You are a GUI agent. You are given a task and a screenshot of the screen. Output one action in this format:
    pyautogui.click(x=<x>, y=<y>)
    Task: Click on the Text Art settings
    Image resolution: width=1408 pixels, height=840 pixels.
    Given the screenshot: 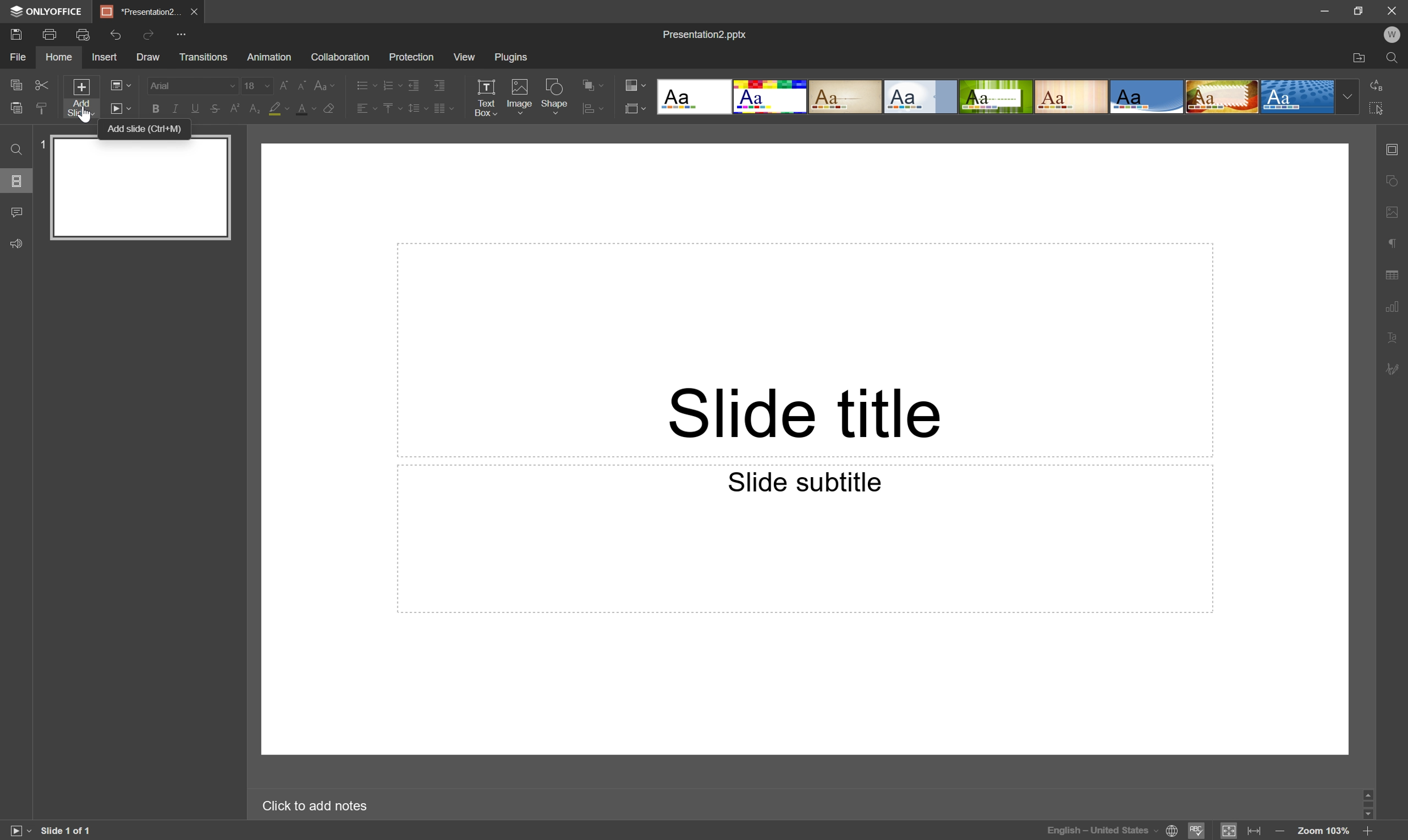 What is the action you would take?
    pyautogui.click(x=1395, y=336)
    